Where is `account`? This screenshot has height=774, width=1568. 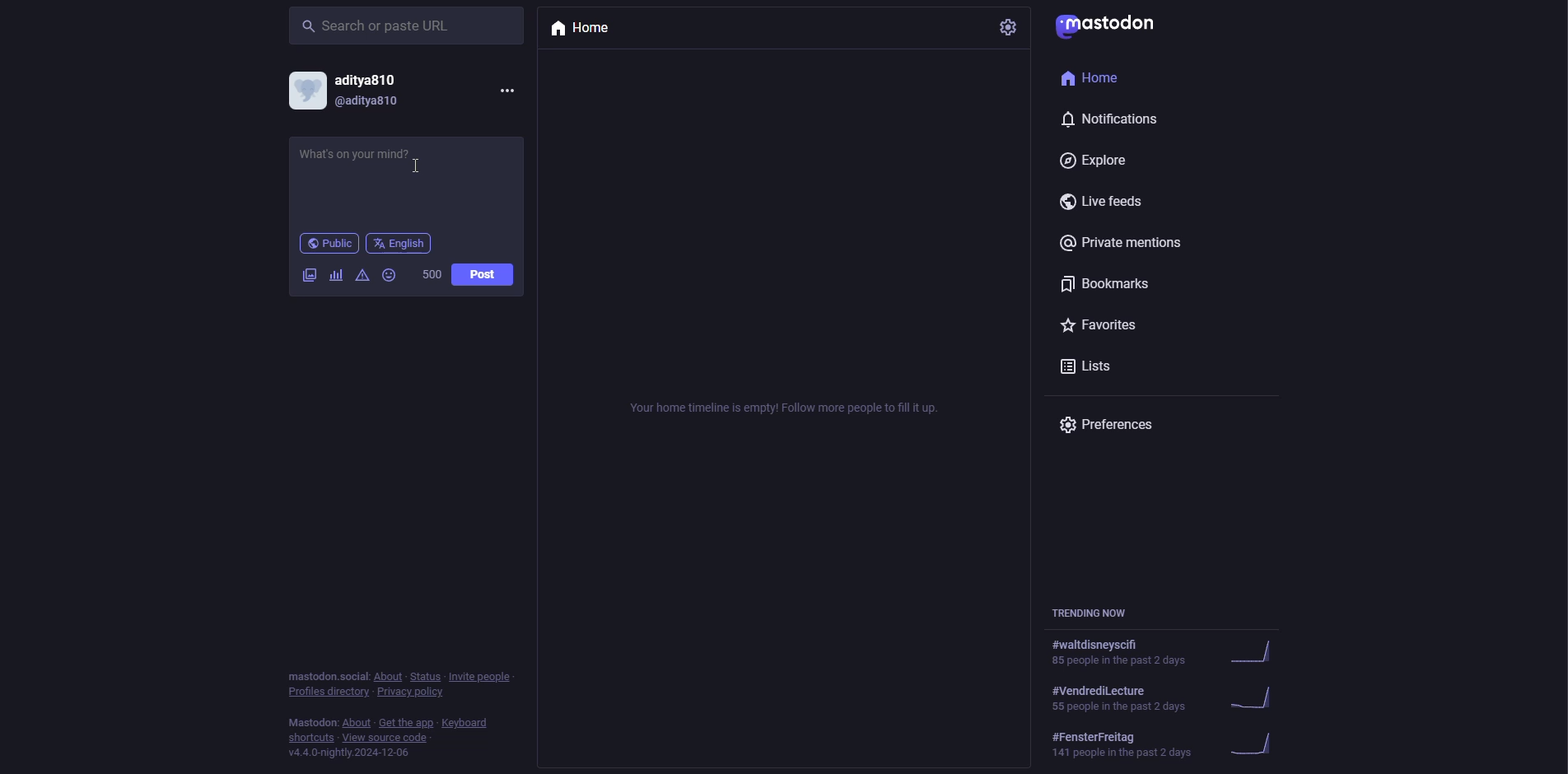 account is located at coordinates (352, 90).